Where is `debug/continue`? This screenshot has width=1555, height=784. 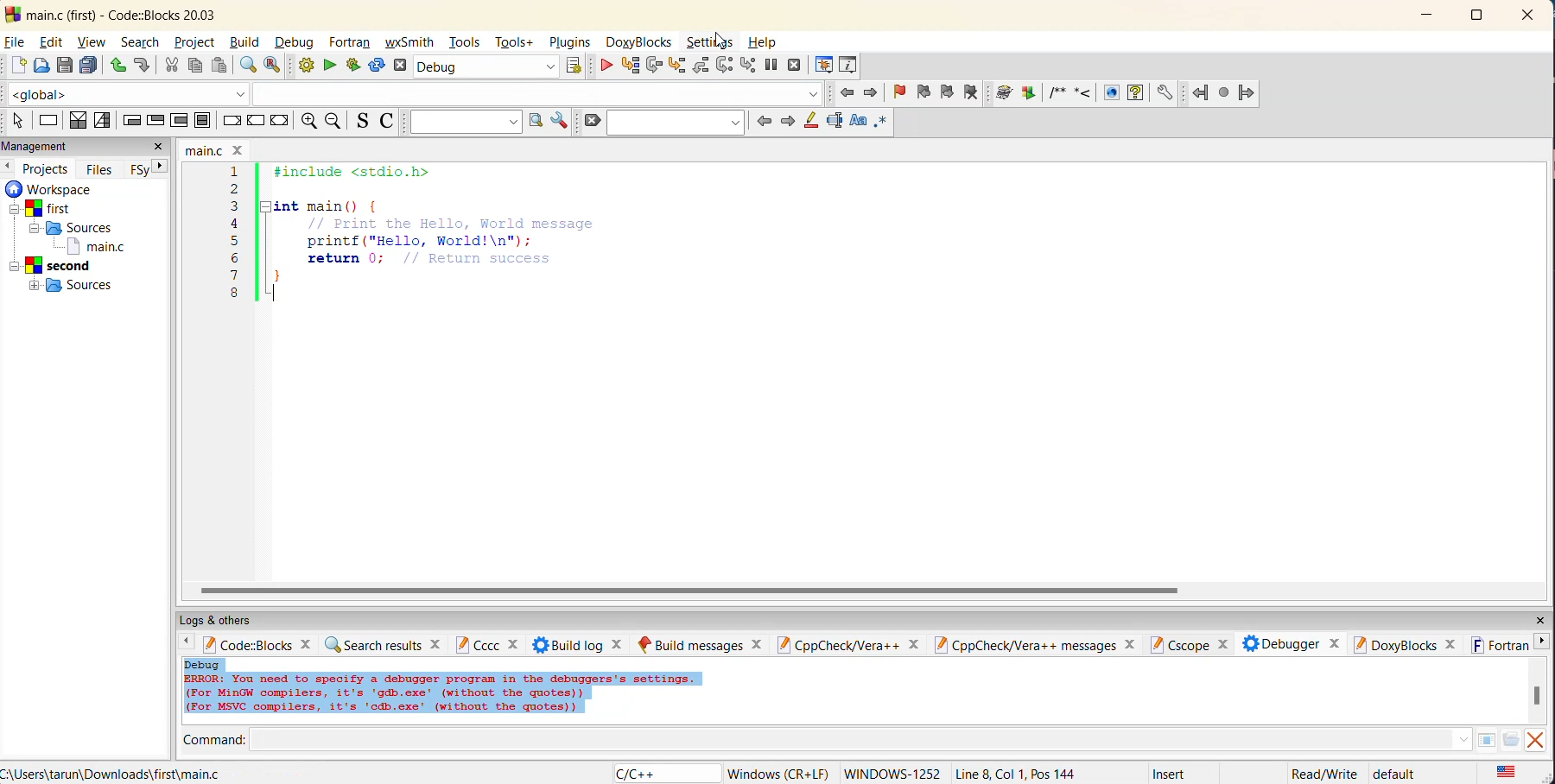
debug/continue is located at coordinates (605, 68).